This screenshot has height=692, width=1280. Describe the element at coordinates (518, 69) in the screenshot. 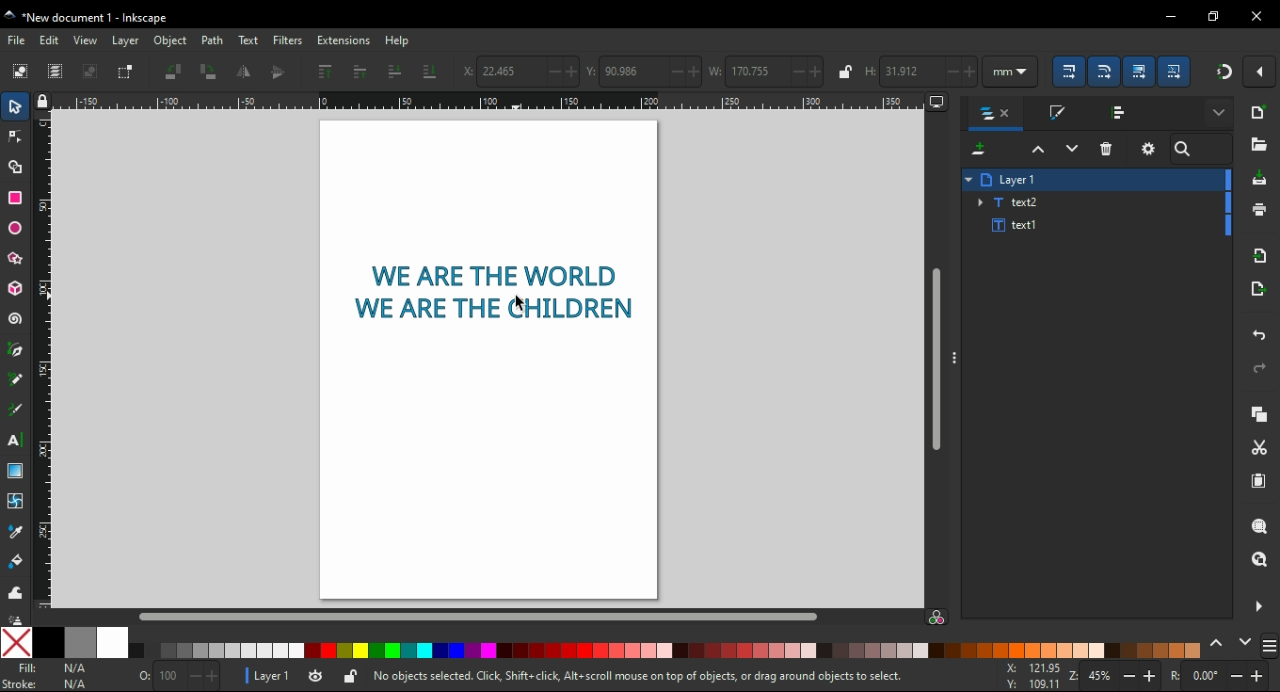

I see `horizontal coordinates of selected object` at that location.